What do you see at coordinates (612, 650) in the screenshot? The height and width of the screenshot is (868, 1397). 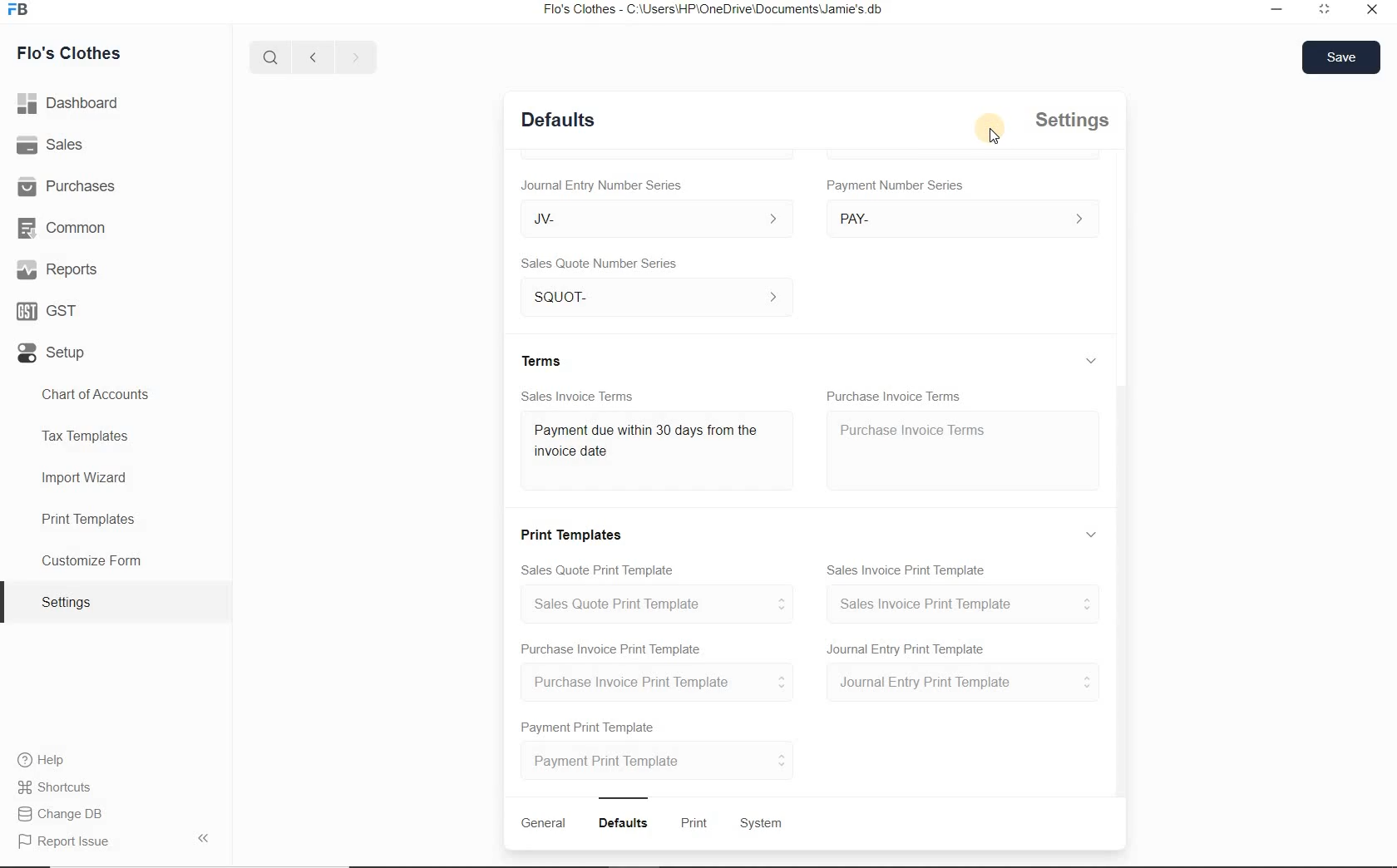 I see `Purchase Invoice Print Template` at bounding box center [612, 650].